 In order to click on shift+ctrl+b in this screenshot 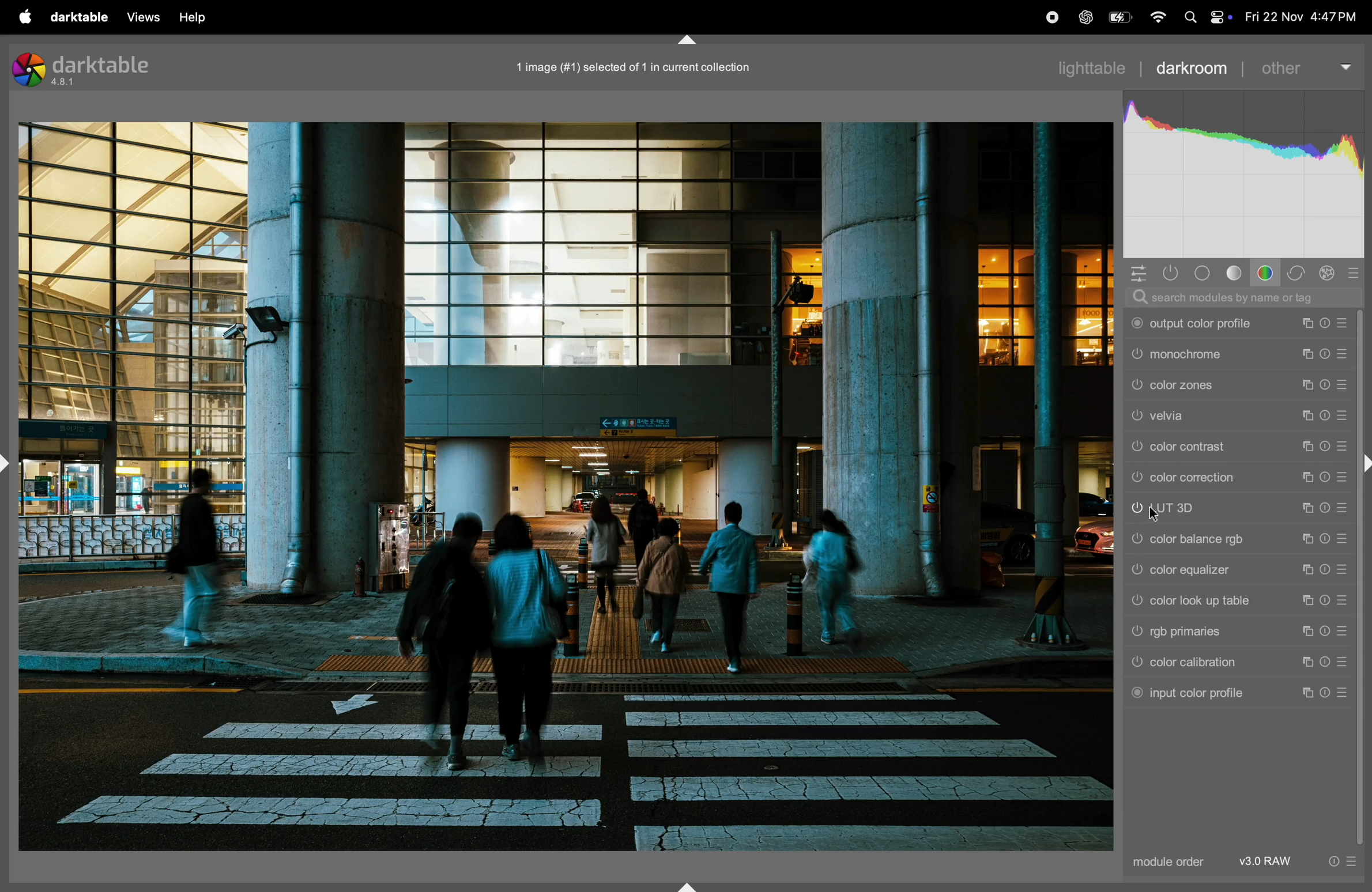, I will do `click(685, 885)`.